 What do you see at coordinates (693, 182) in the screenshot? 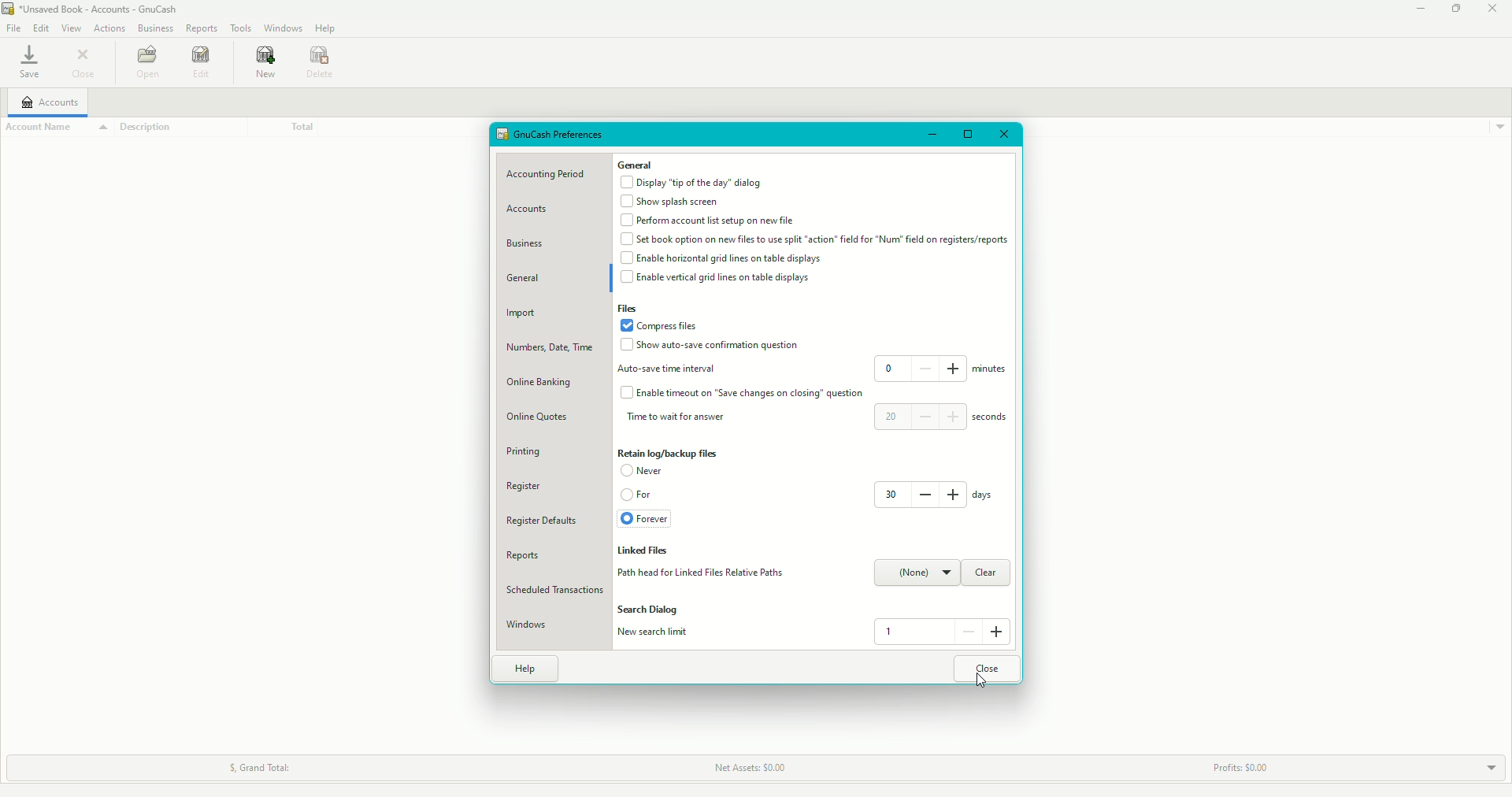
I see `Display 'tip of the day'` at bounding box center [693, 182].